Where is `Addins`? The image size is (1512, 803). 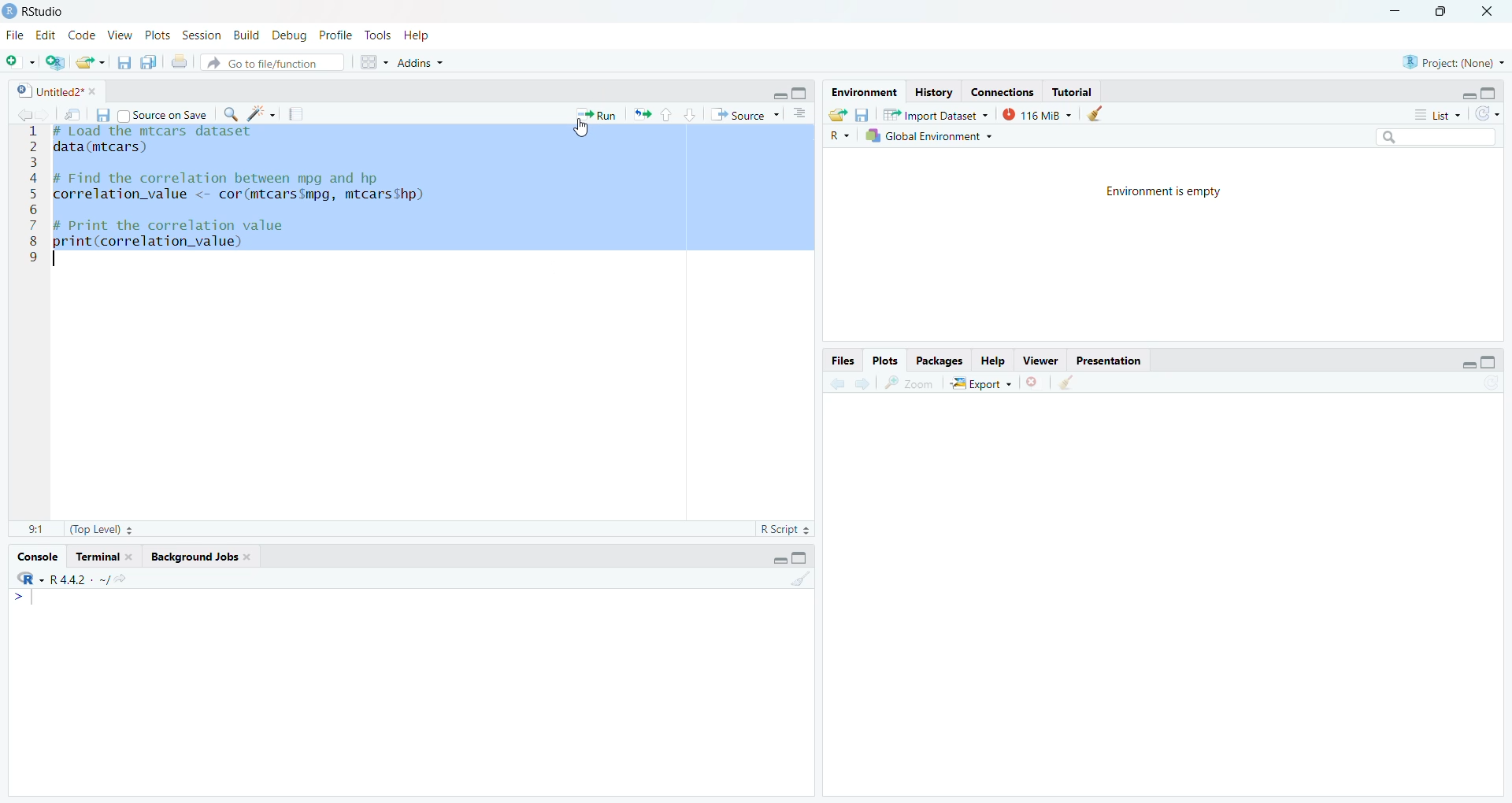
Addins is located at coordinates (423, 62).